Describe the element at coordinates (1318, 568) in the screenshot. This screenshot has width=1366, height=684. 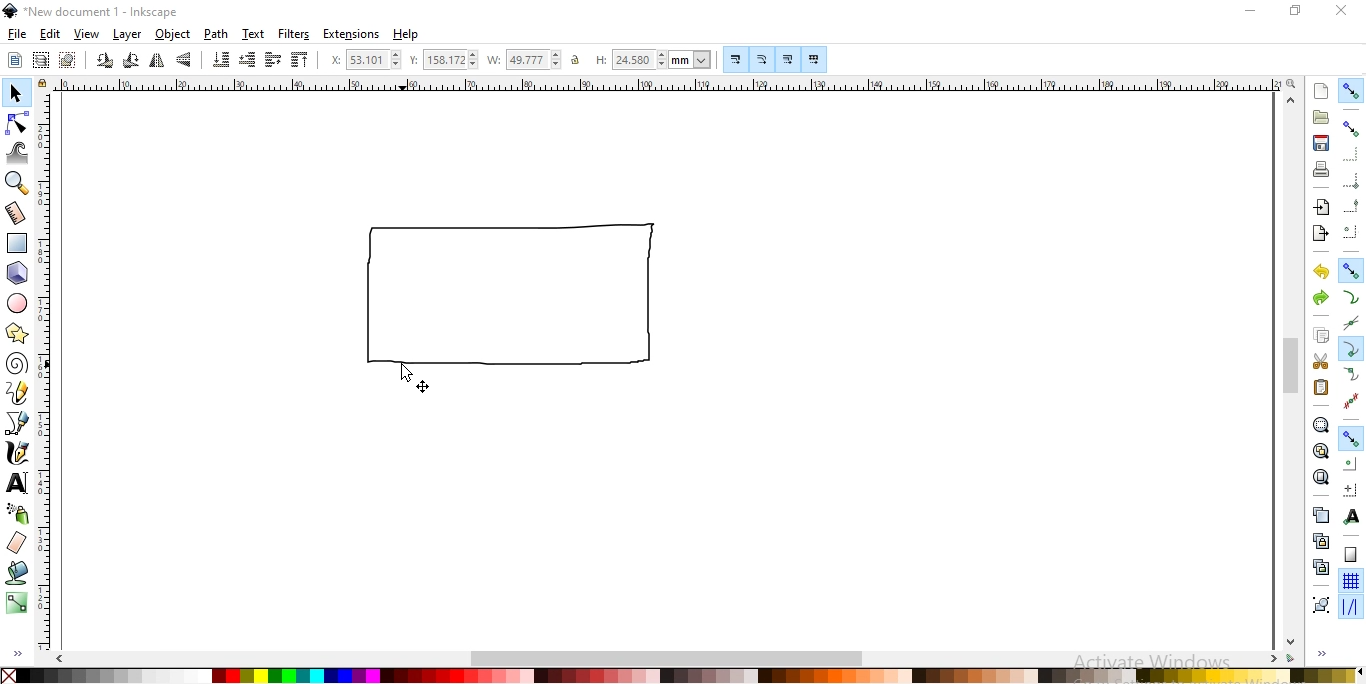
I see `cut the selected clones links to the objects` at that location.